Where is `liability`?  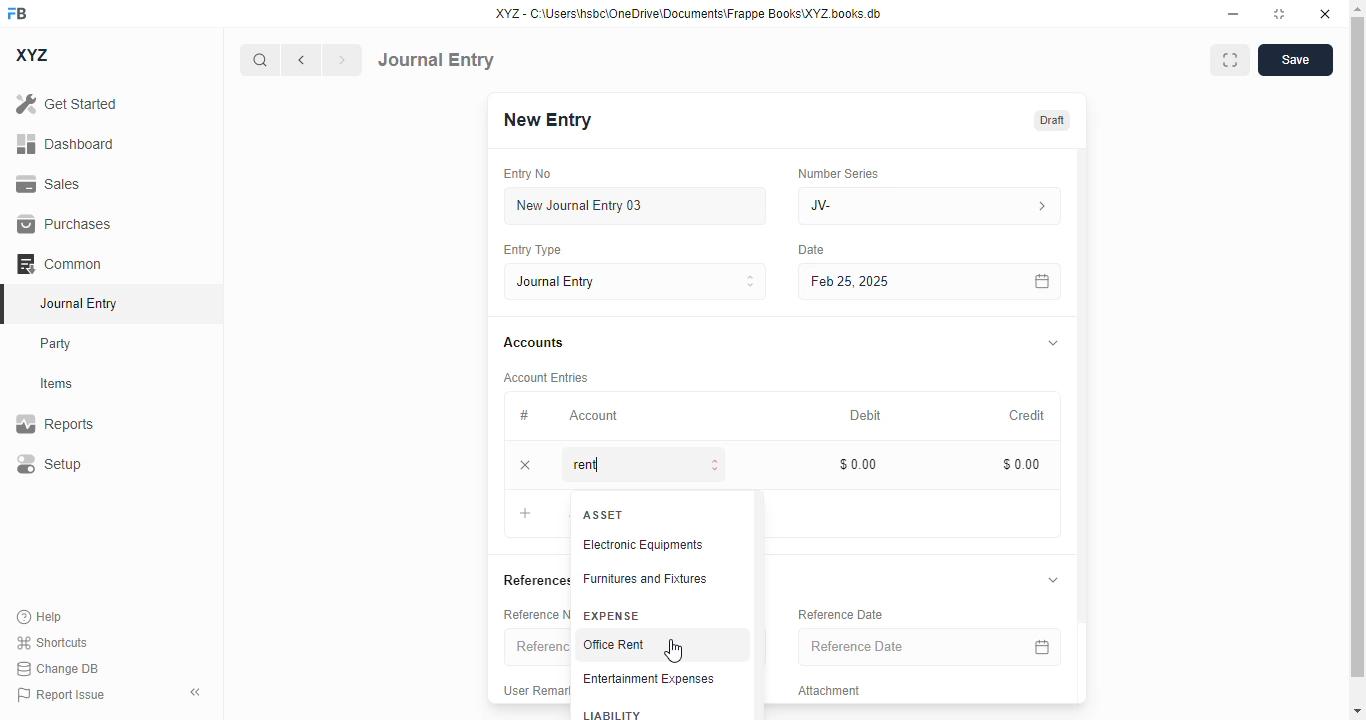
liability is located at coordinates (612, 714).